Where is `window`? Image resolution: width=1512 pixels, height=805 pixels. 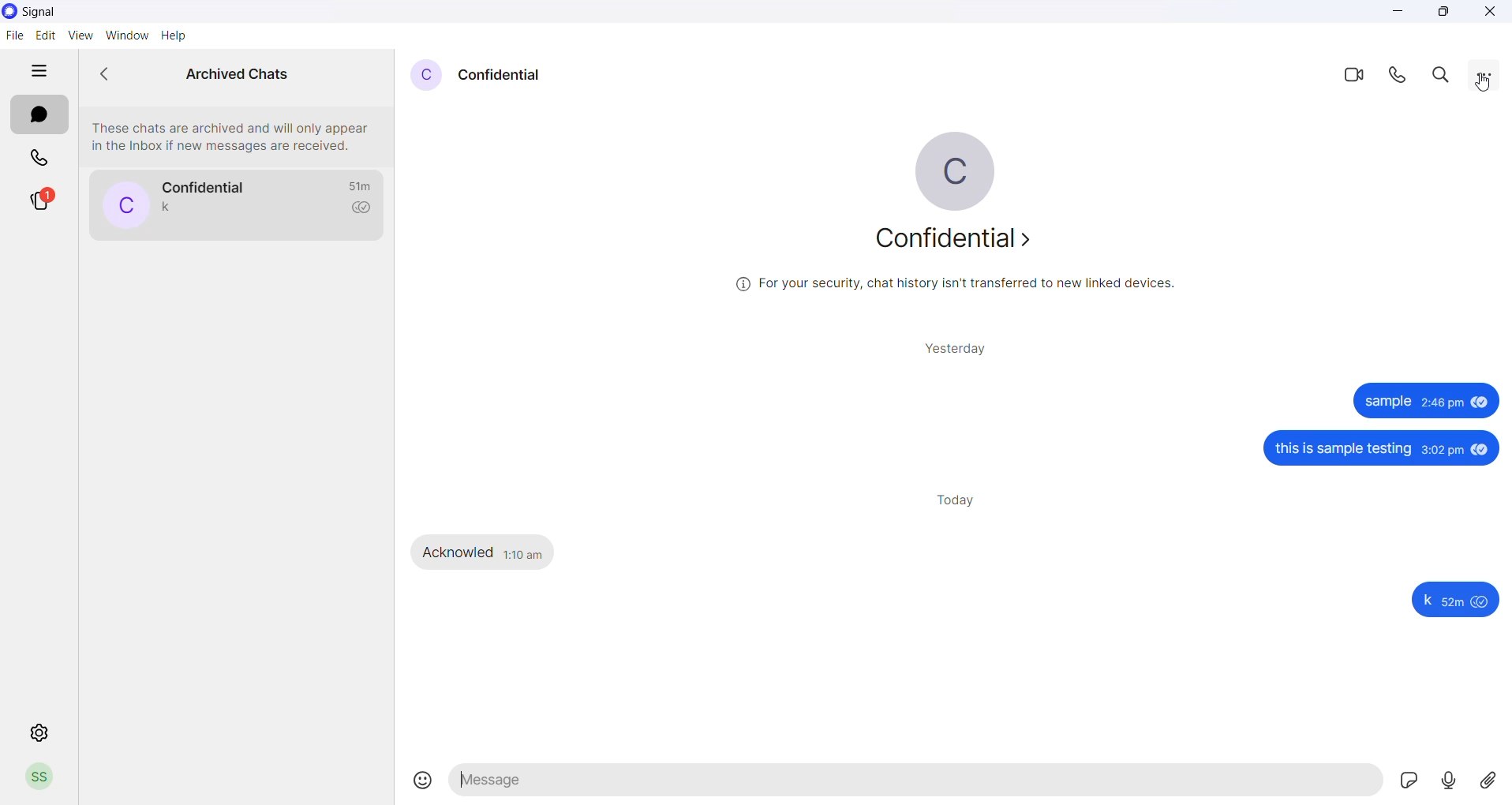
window is located at coordinates (125, 35).